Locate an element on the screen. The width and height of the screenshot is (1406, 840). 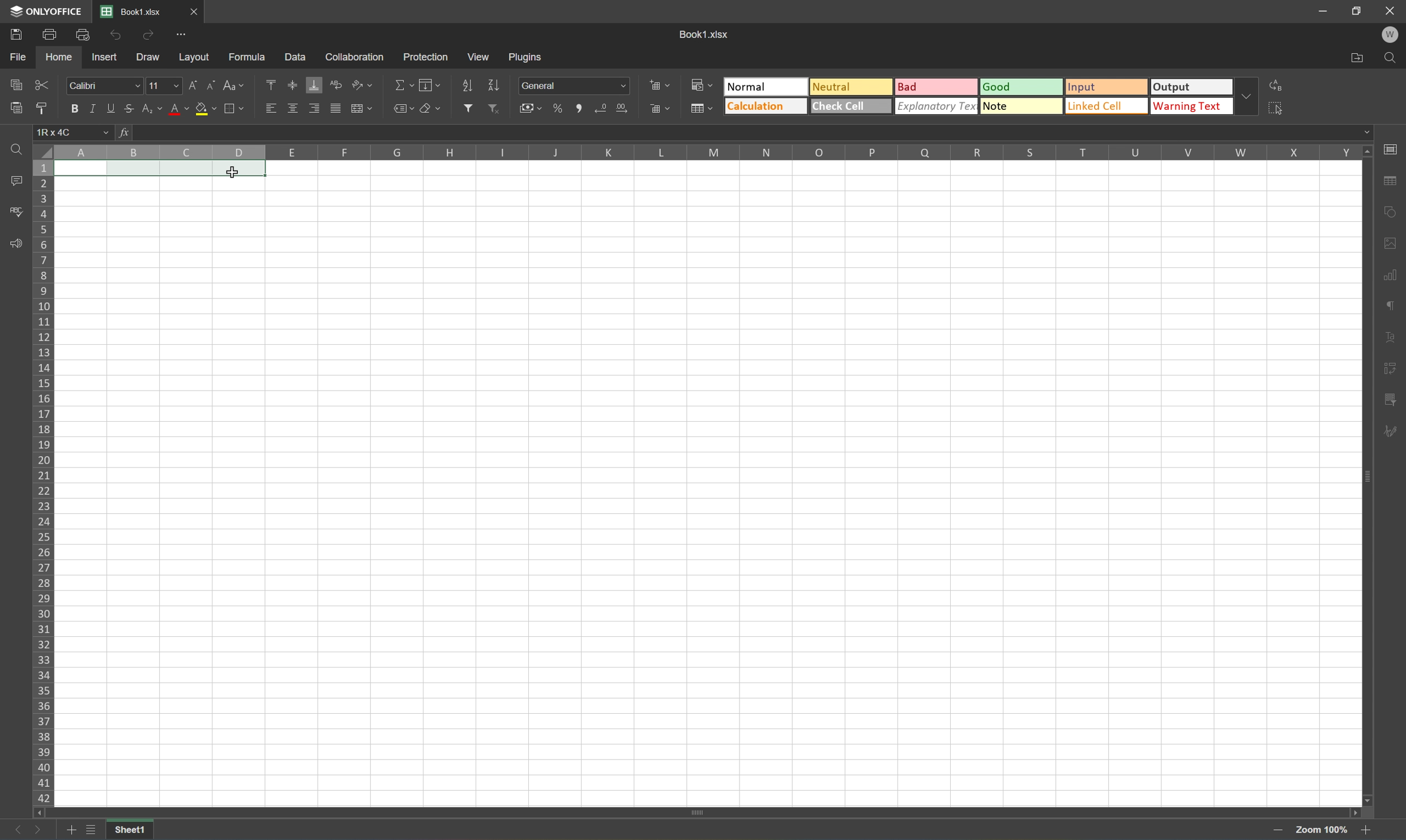
Table settings is located at coordinates (1390, 183).